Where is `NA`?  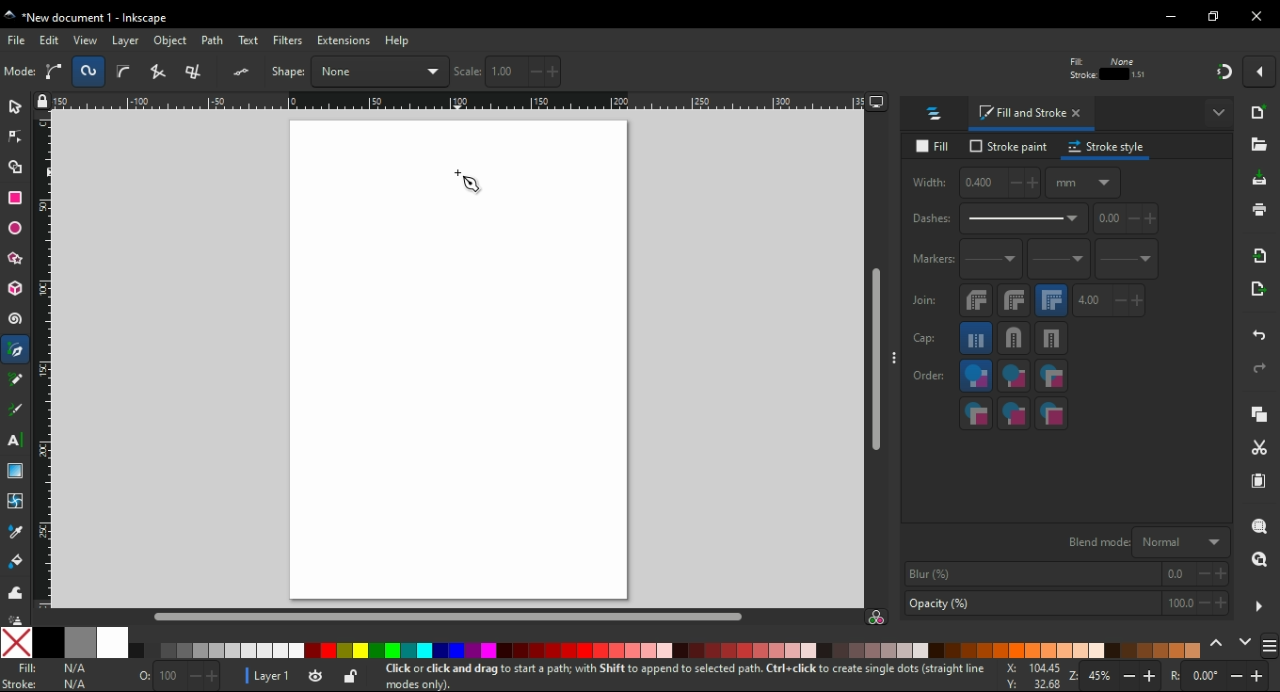 NA is located at coordinates (74, 676).